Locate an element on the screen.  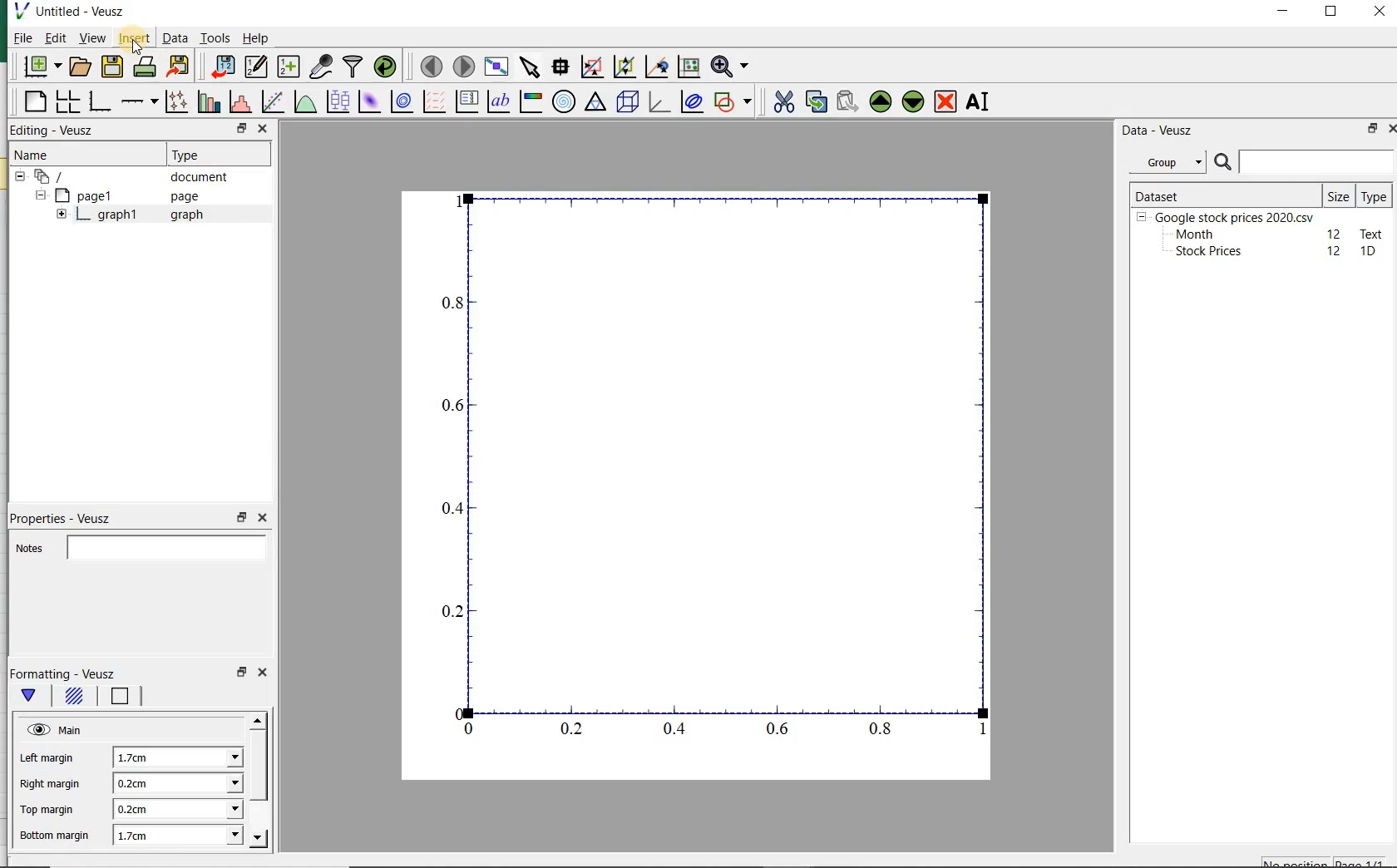
Right margin is located at coordinates (51, 785).